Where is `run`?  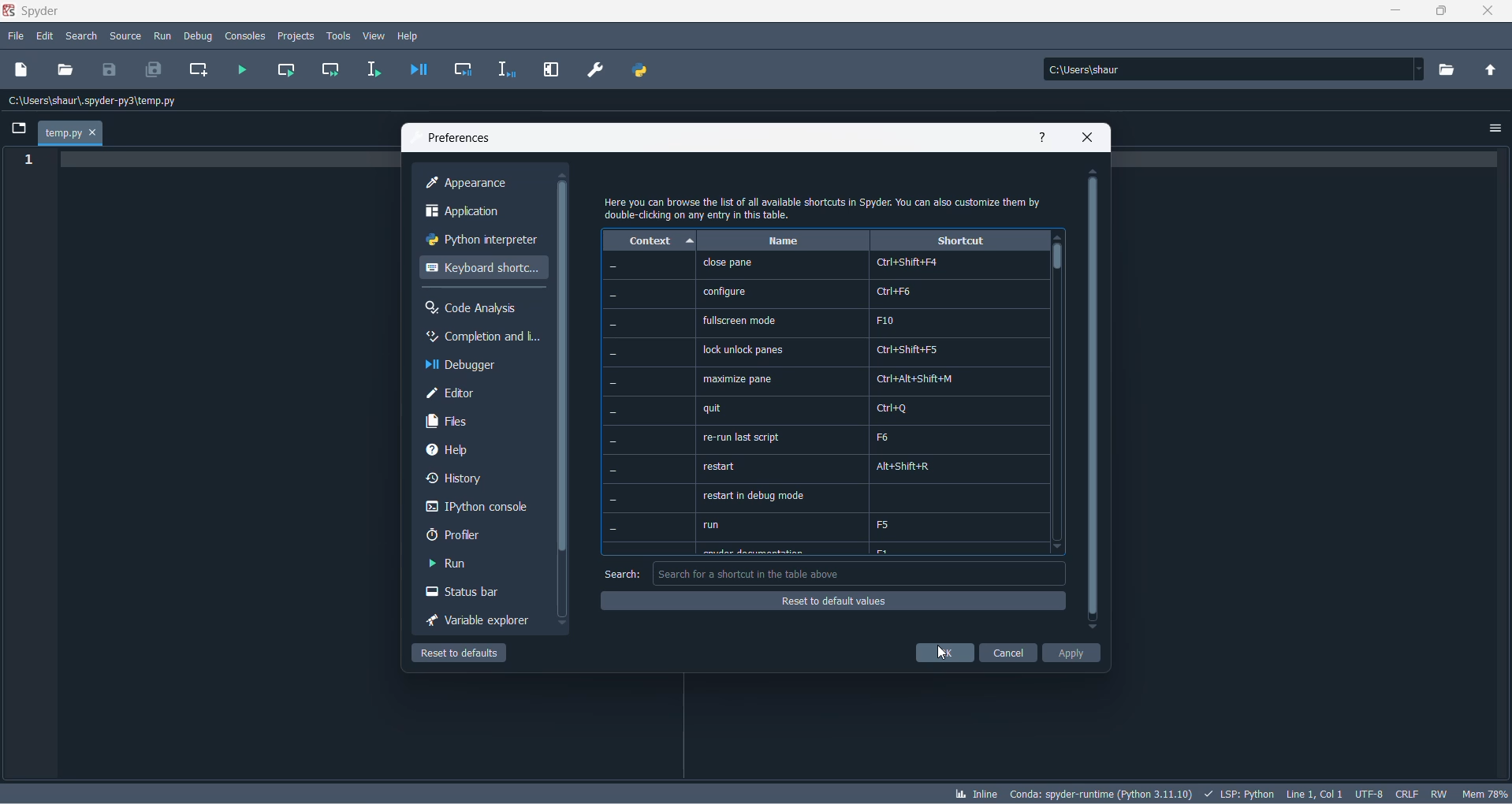
run is located at coordinates (162, 34).